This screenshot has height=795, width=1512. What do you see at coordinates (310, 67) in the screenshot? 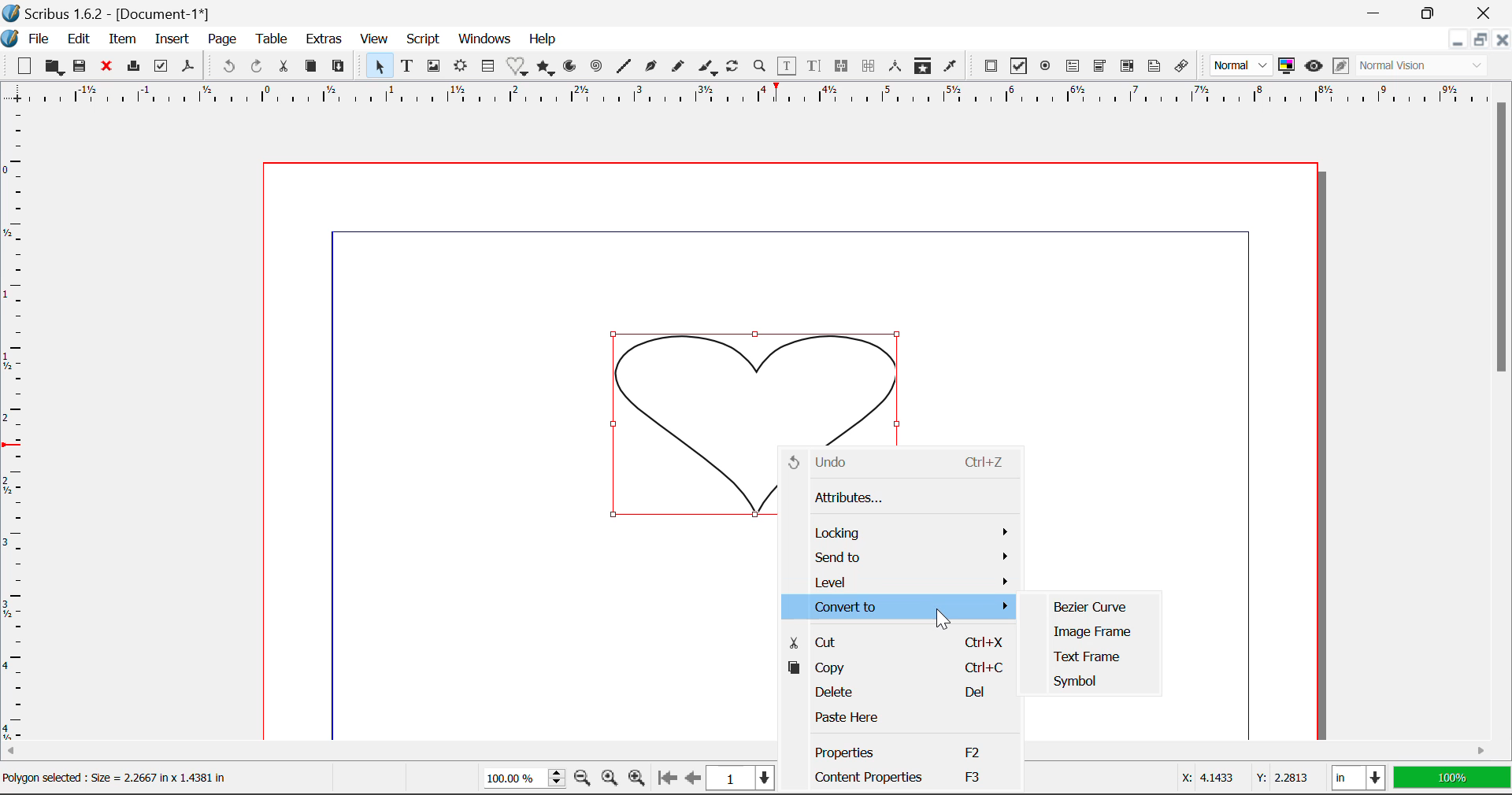
I see `Copy` at bounding box center [310, 67].